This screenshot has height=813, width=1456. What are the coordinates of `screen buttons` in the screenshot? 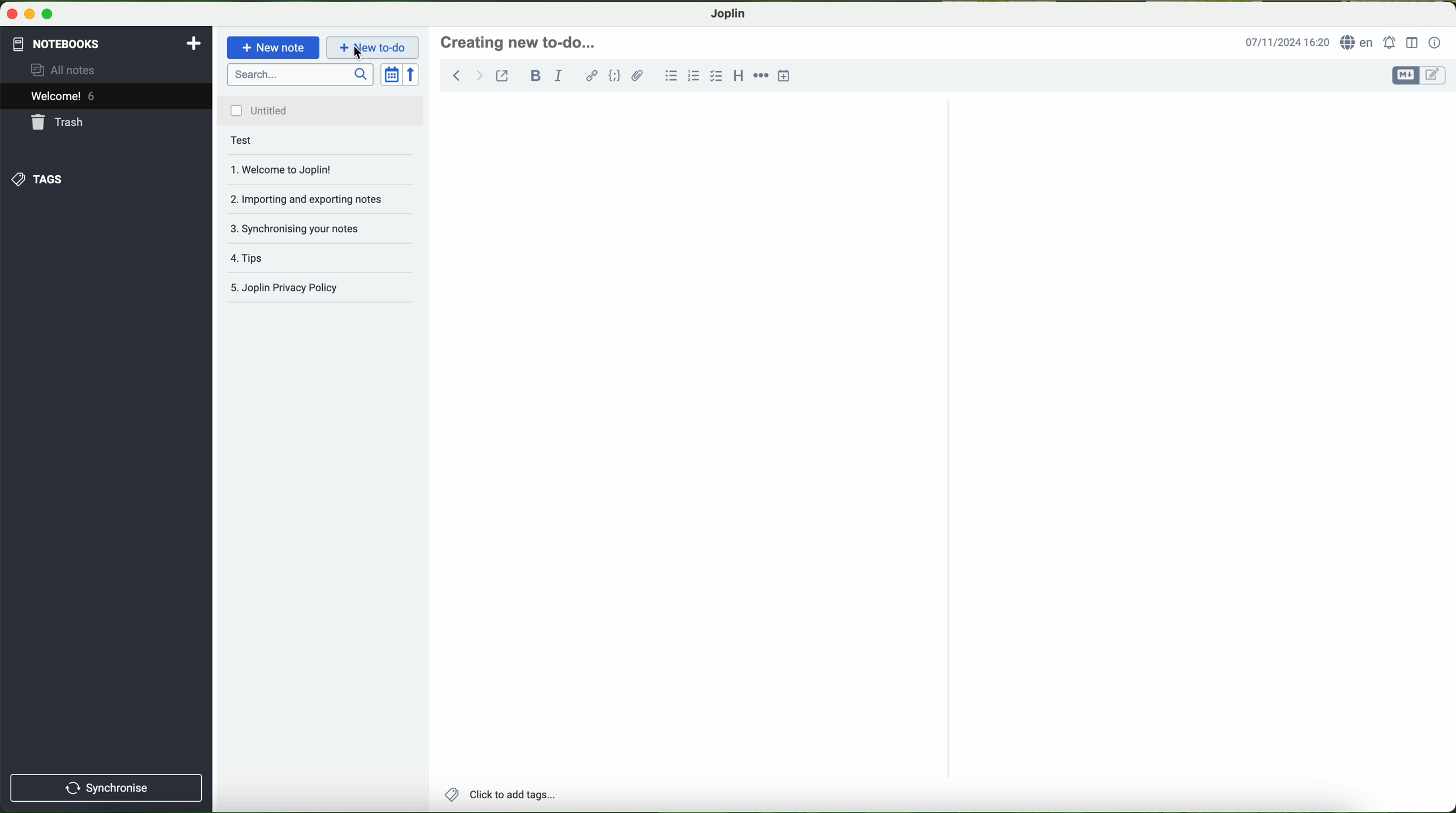 It's located at (33, 13).